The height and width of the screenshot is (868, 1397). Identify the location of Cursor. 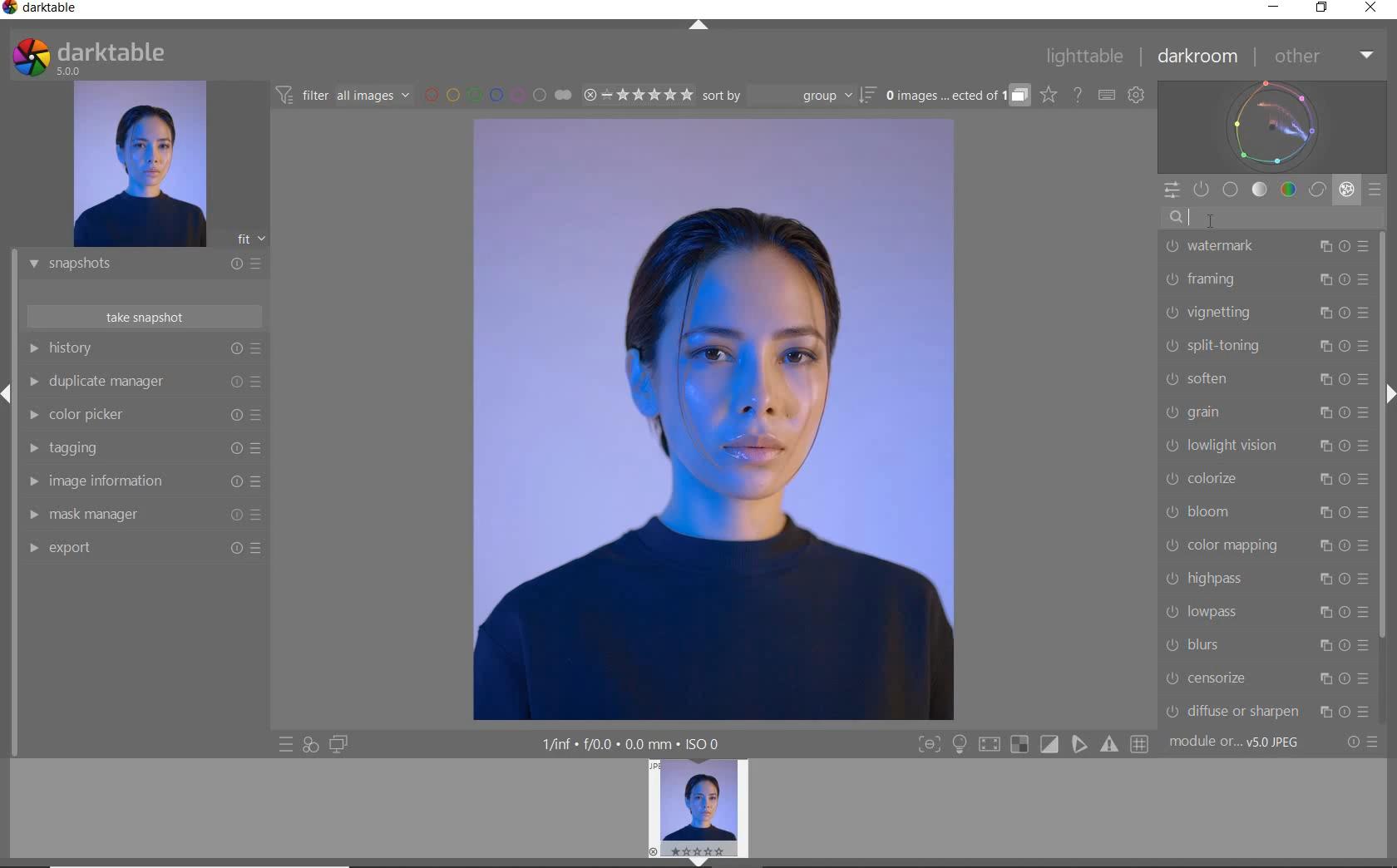
(1211, 219).